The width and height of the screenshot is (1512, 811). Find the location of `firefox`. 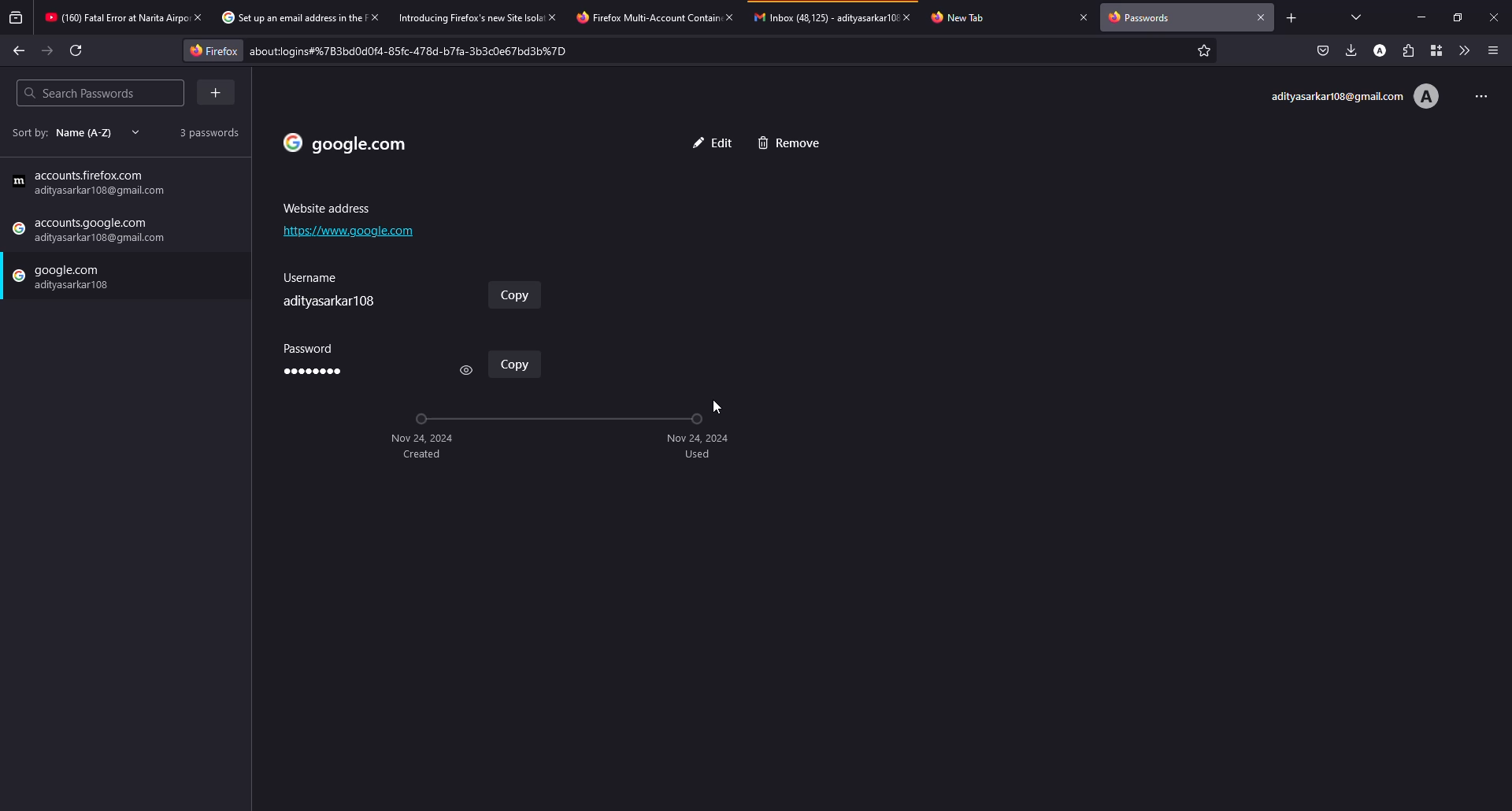

firefox is located at coordinates (209, 50).